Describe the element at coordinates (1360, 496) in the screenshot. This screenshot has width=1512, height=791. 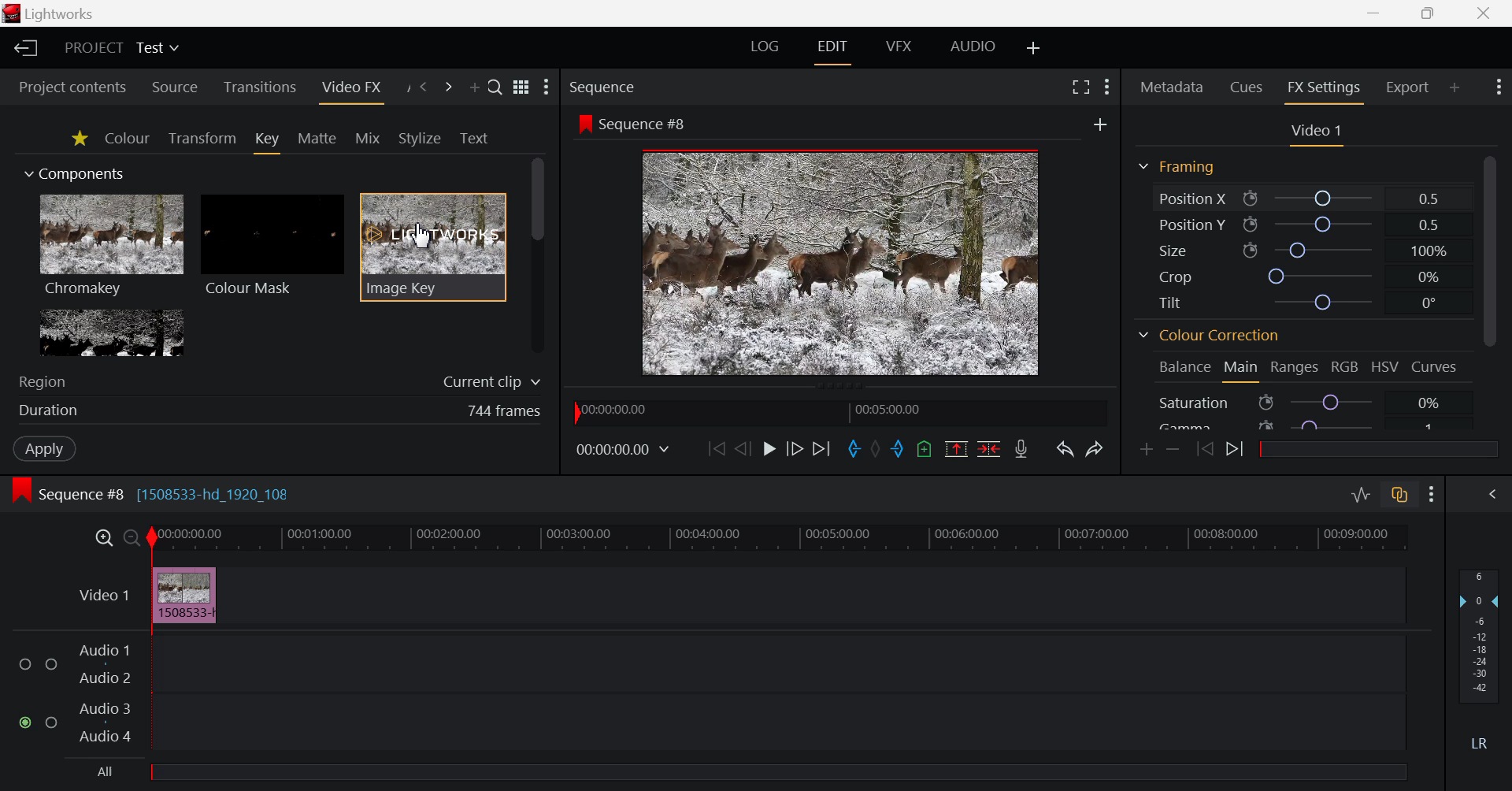
I see `Toggle audio levels editing` at that location.